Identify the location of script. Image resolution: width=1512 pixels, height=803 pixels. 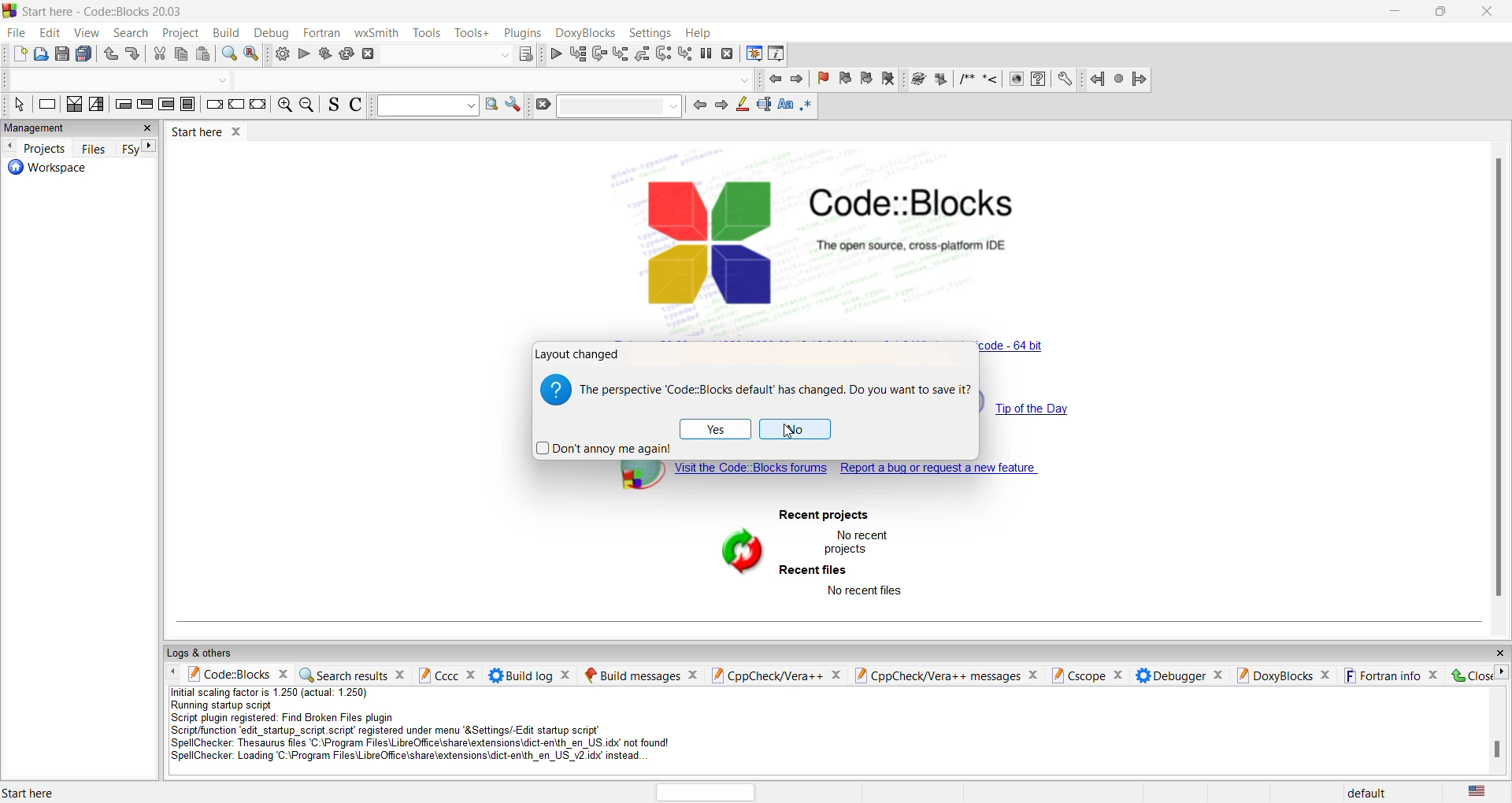
(441, 728).